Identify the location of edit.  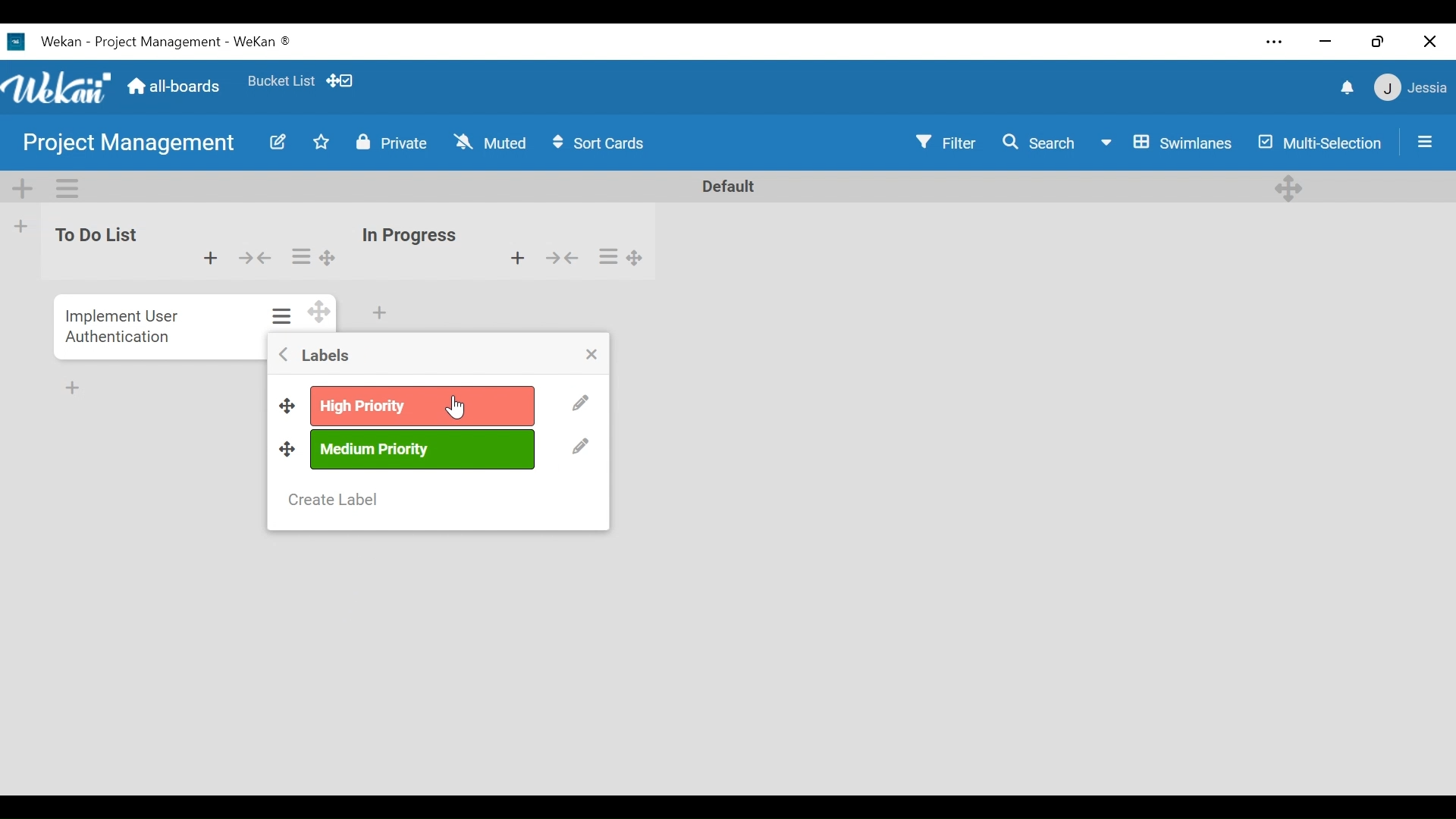
(581, 449).